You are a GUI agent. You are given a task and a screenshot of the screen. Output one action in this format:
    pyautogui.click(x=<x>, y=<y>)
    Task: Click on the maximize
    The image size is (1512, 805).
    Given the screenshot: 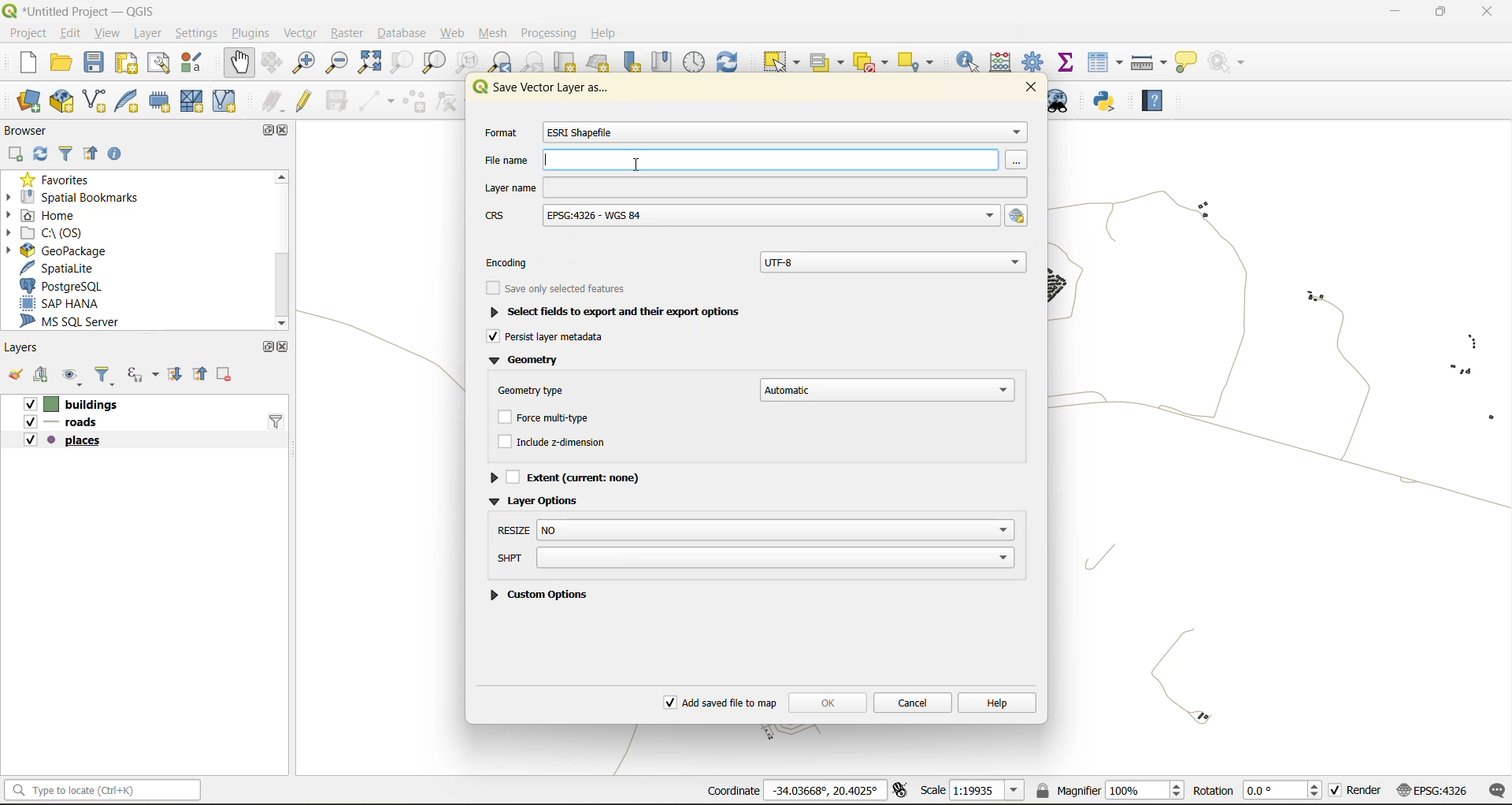 What is the action you would take?
    pyautogui.click(x=265, y=347)
    